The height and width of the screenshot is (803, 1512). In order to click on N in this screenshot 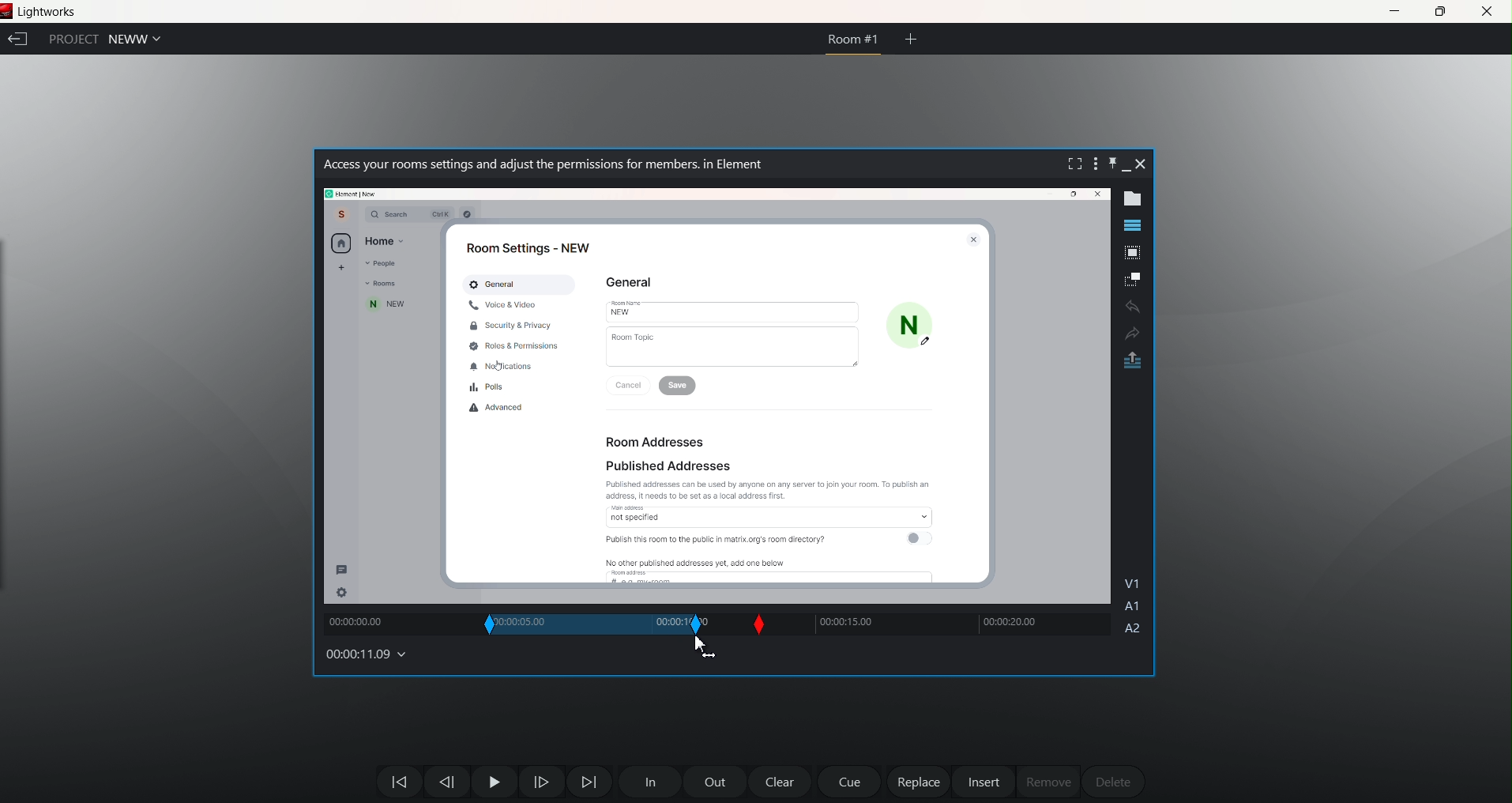, I will do `click(908, 324)`.